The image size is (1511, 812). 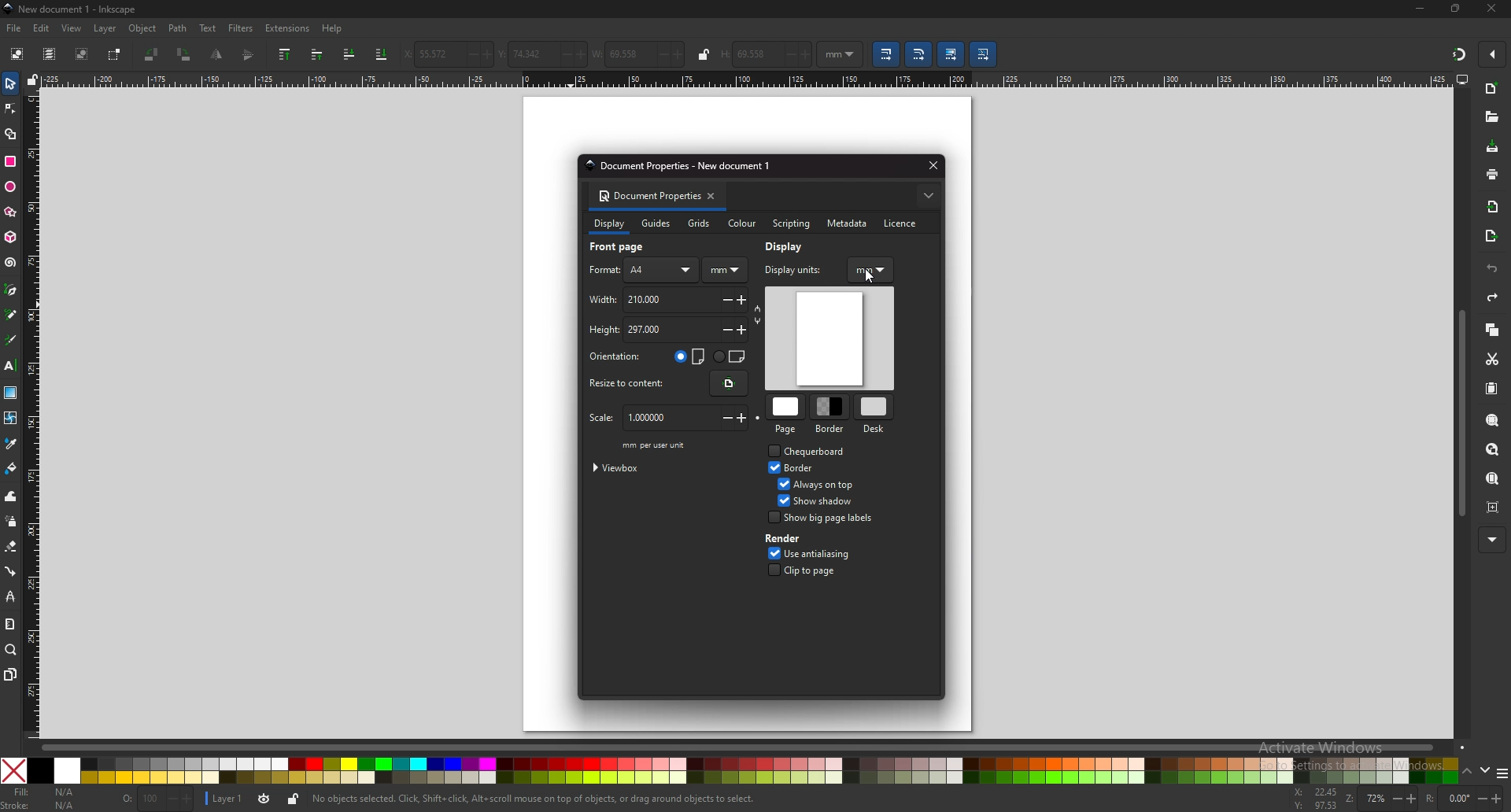 I want to click on Checkbox, so click(x=772, y=518).